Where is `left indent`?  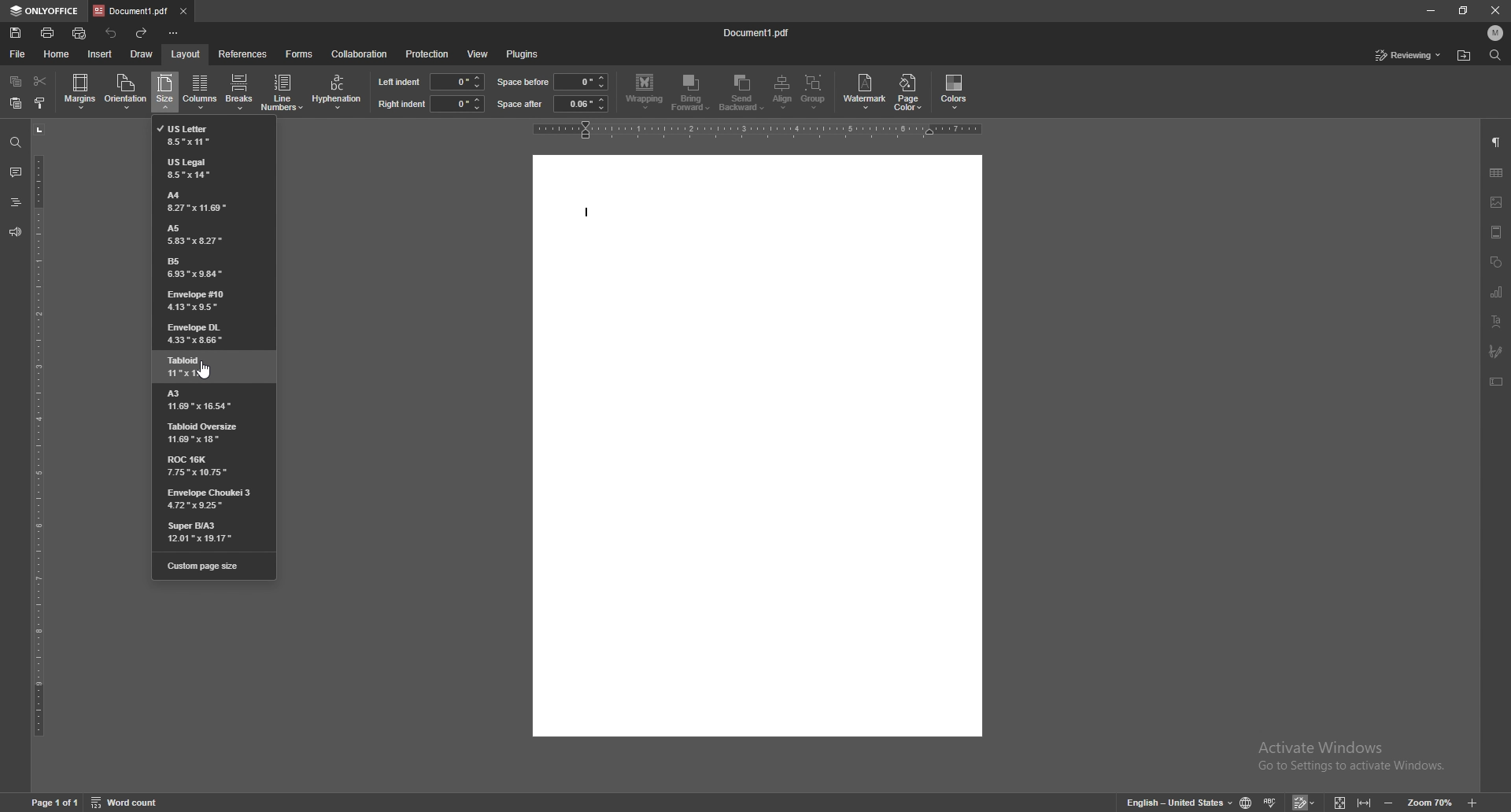 left indent is located at coordinates (399, 81).